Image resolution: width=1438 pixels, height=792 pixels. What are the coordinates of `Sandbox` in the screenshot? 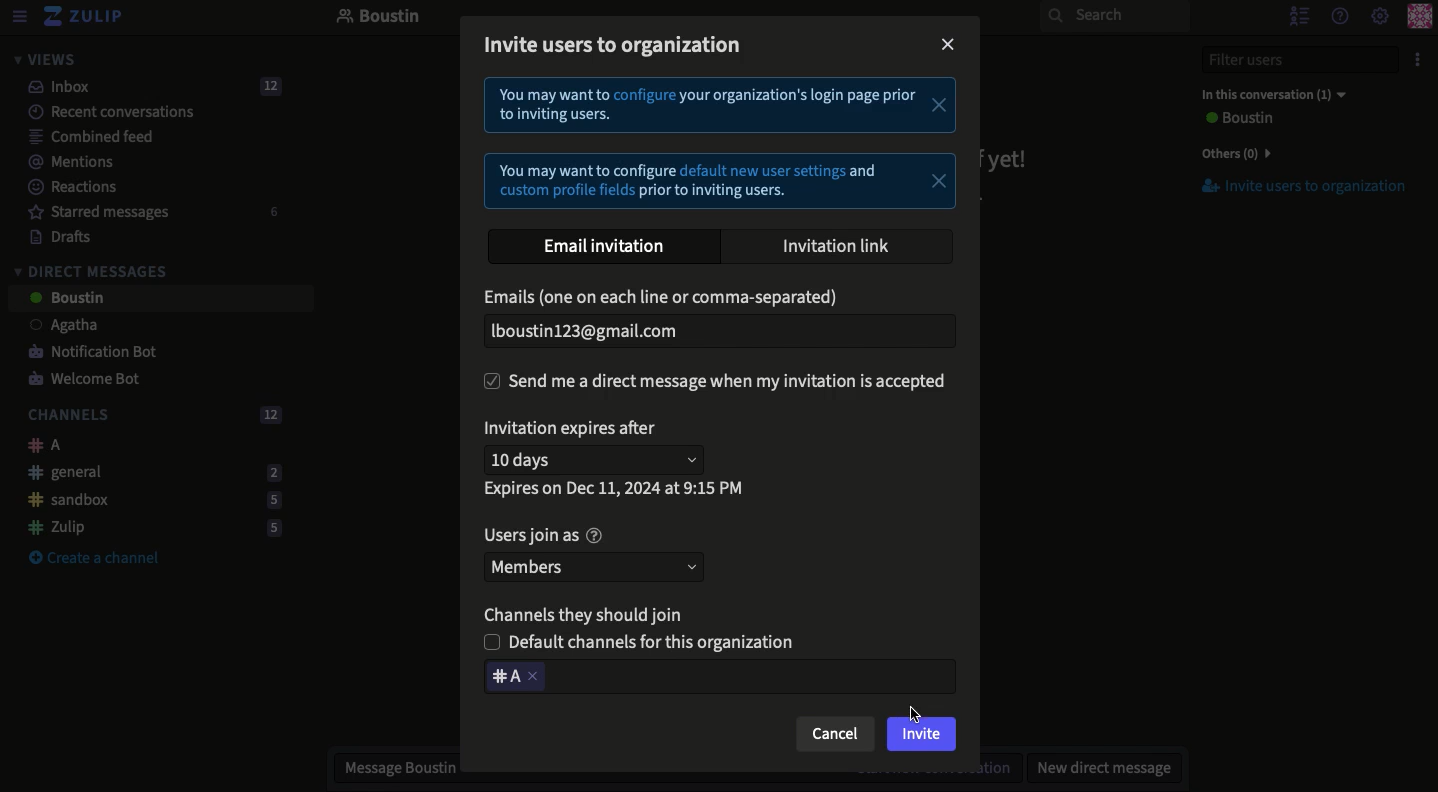 It's located at (147, 501).